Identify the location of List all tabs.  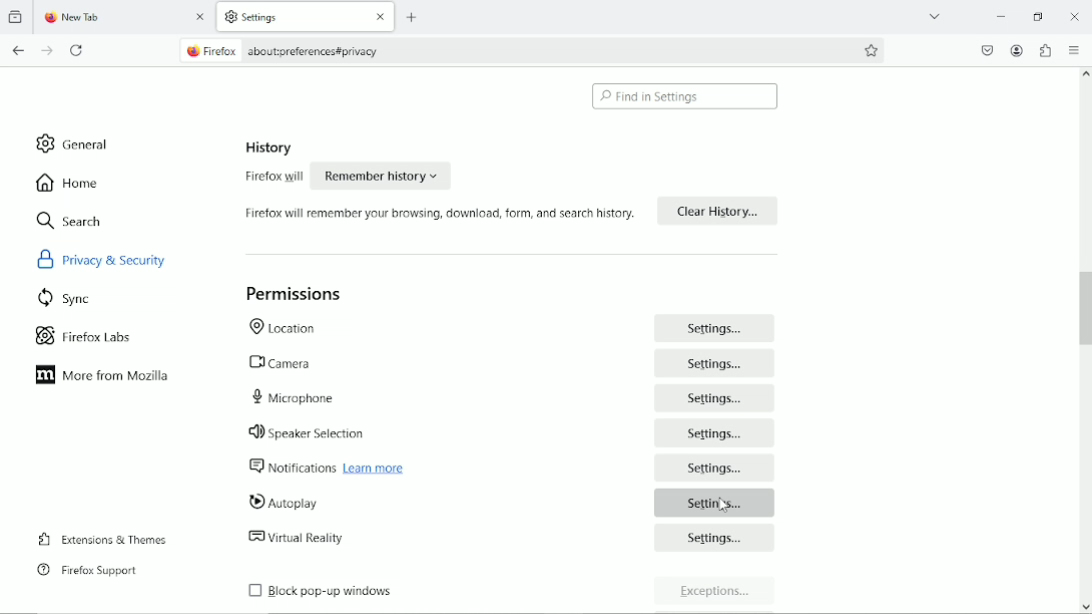
(934, 15).